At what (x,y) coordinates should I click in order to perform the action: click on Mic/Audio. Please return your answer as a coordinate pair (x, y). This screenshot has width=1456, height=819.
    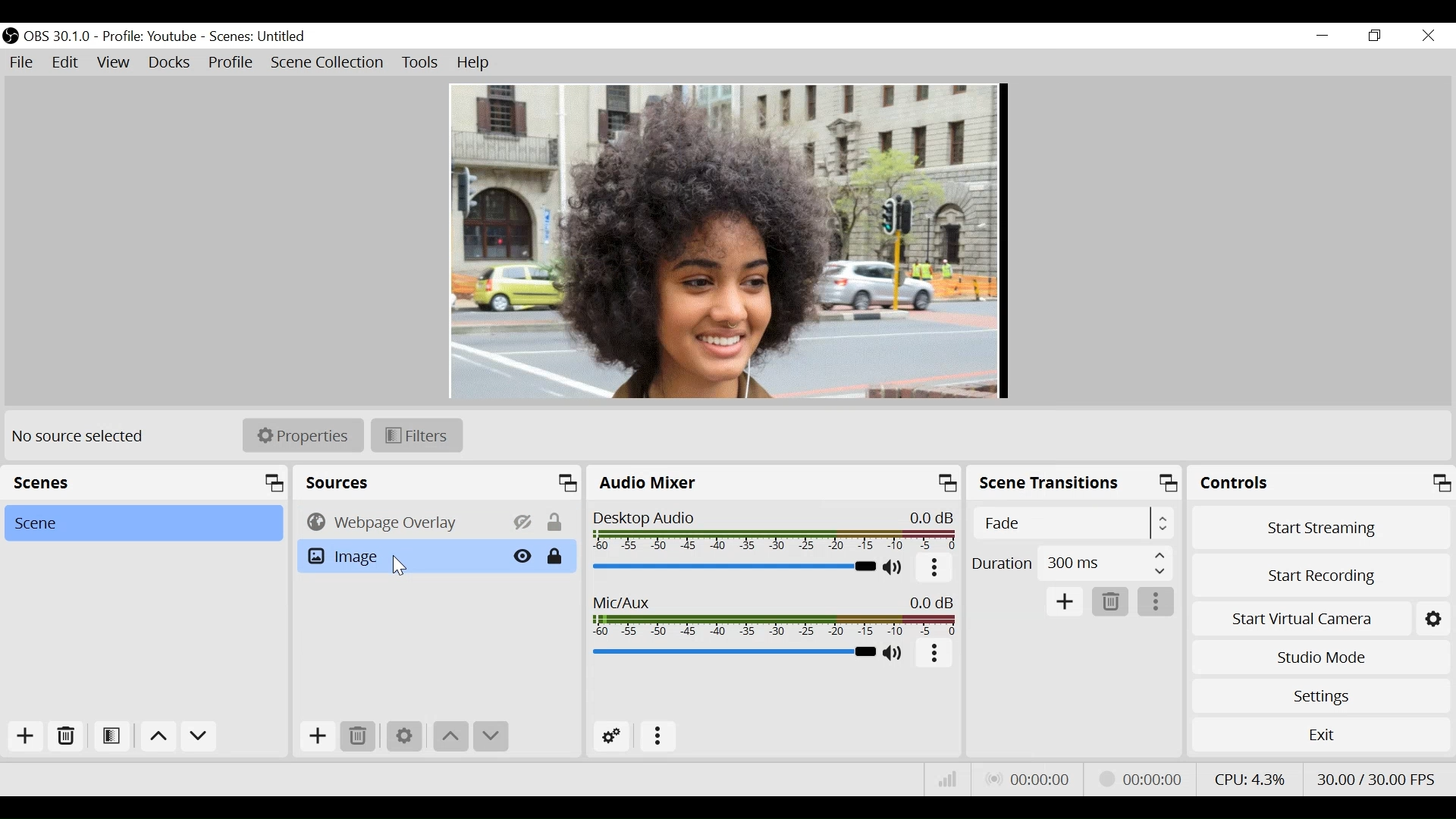
    Looking at the image, I should click on (773, 615).